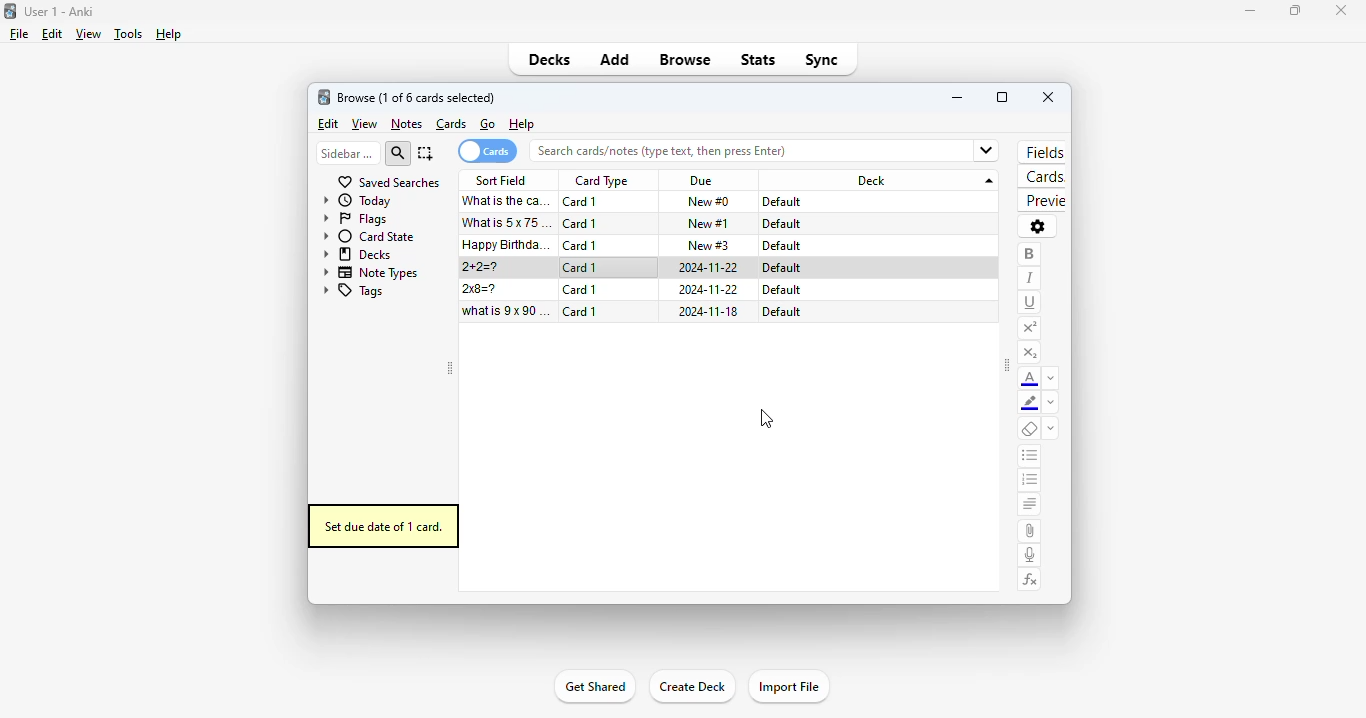 The height and width of the screenshot is (718, 1366). I want to click on what is 5x75=?, so click(509, 222).